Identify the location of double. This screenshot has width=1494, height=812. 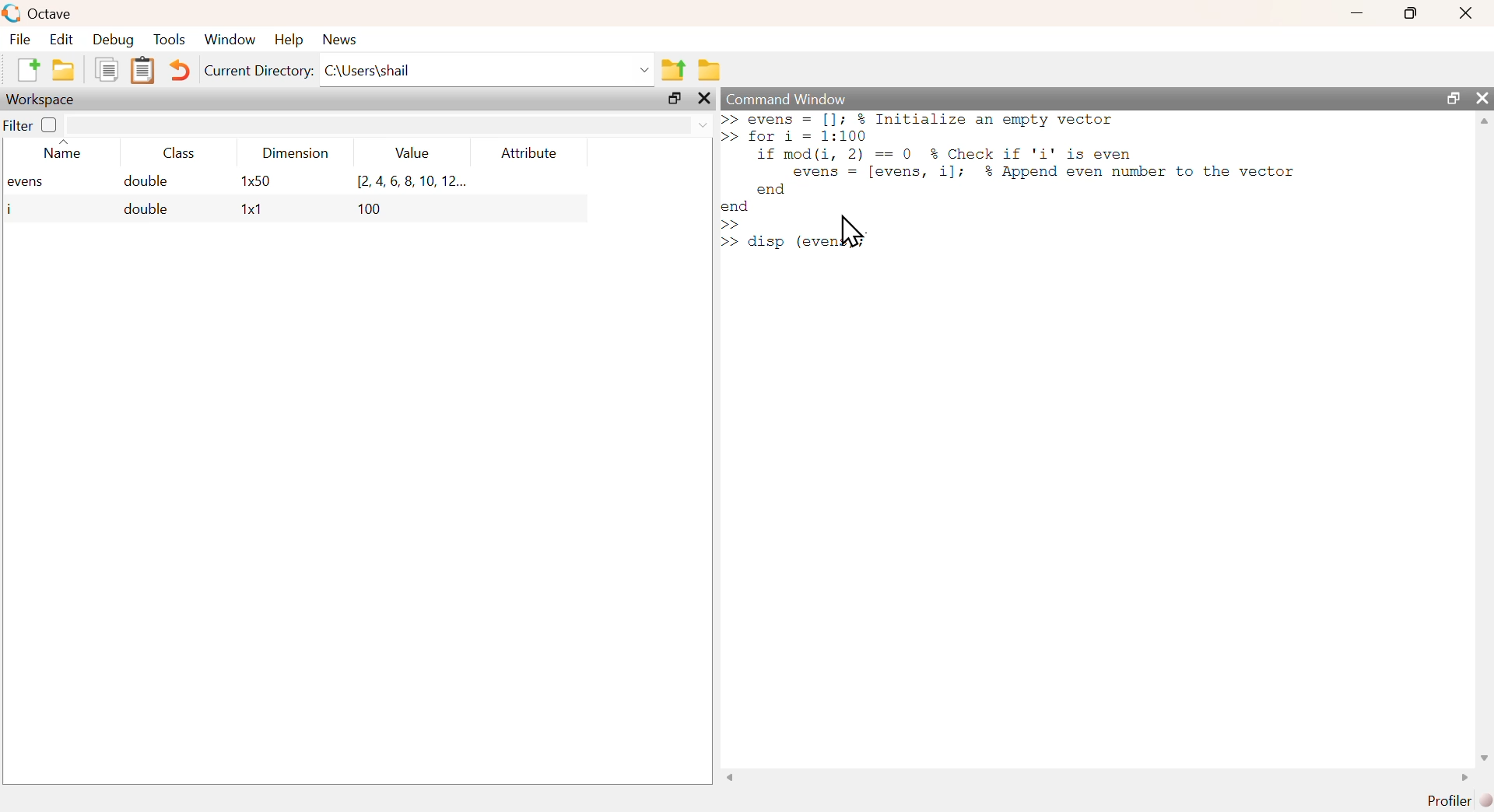
(147, 210).